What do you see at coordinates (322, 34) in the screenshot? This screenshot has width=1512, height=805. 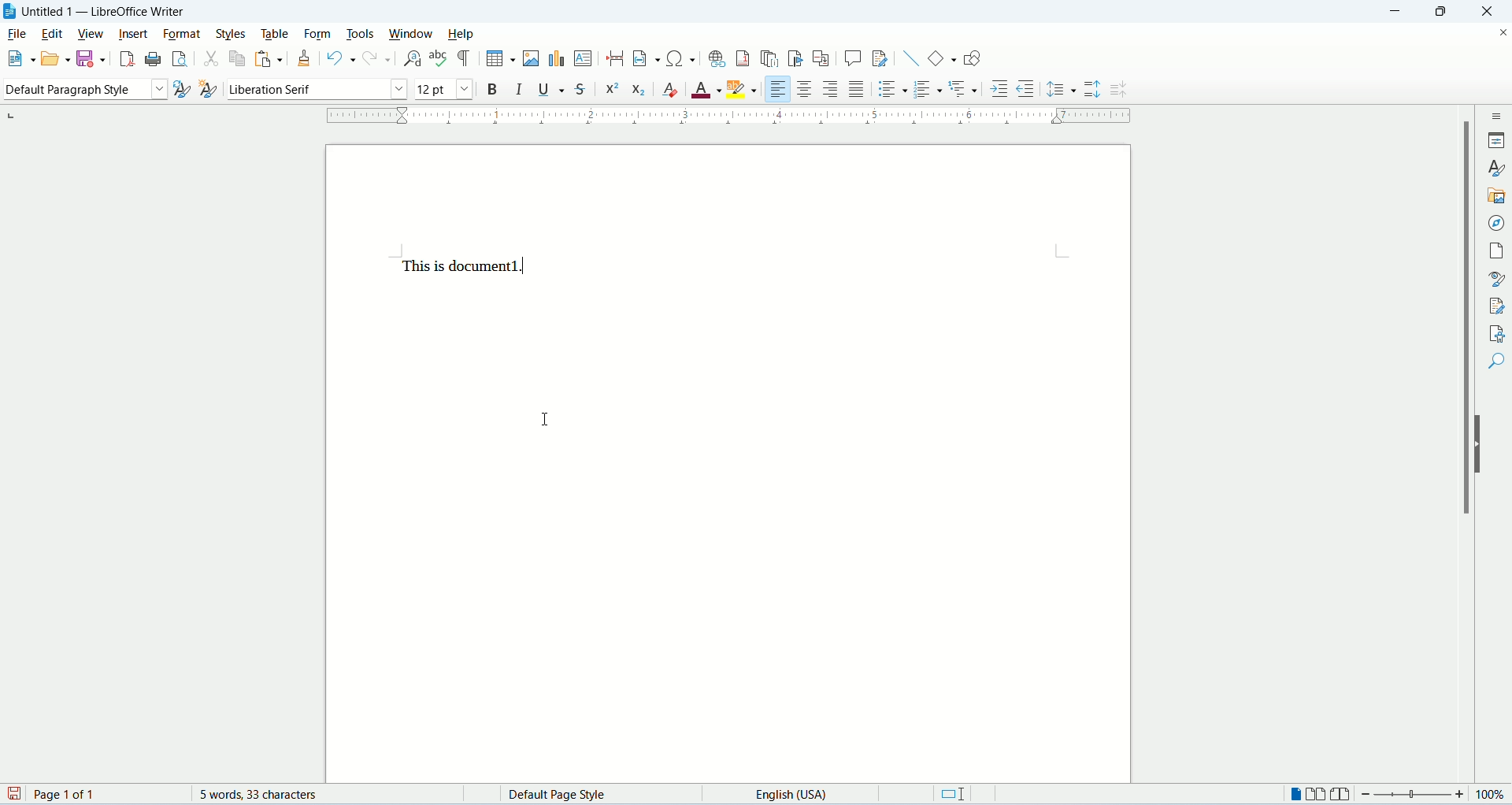 I see `form` at bounding box center [322, 34].